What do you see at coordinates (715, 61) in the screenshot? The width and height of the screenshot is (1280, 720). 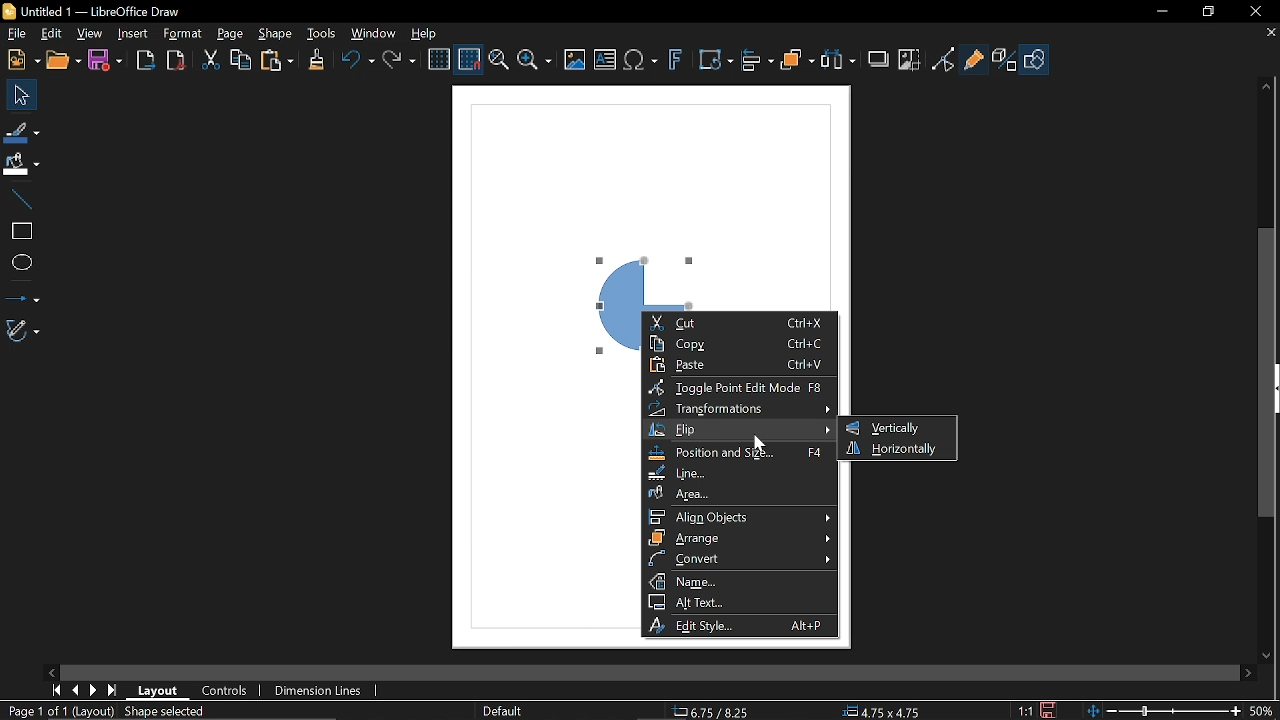 I see `transformation` at bounding box center [715, 61].